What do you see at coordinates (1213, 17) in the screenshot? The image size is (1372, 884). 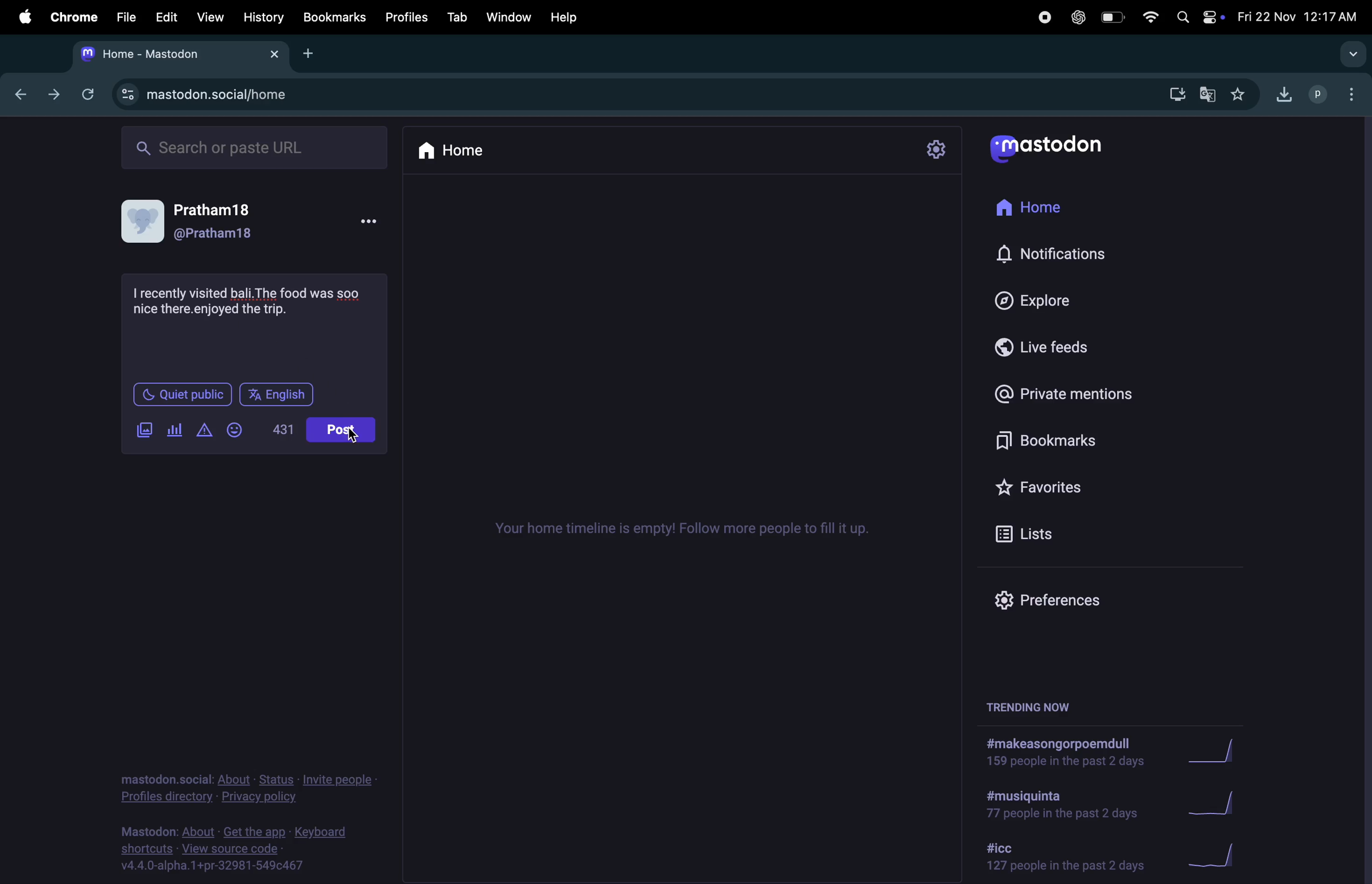 I see `apple widgets` at bounding box center [1213, 17].